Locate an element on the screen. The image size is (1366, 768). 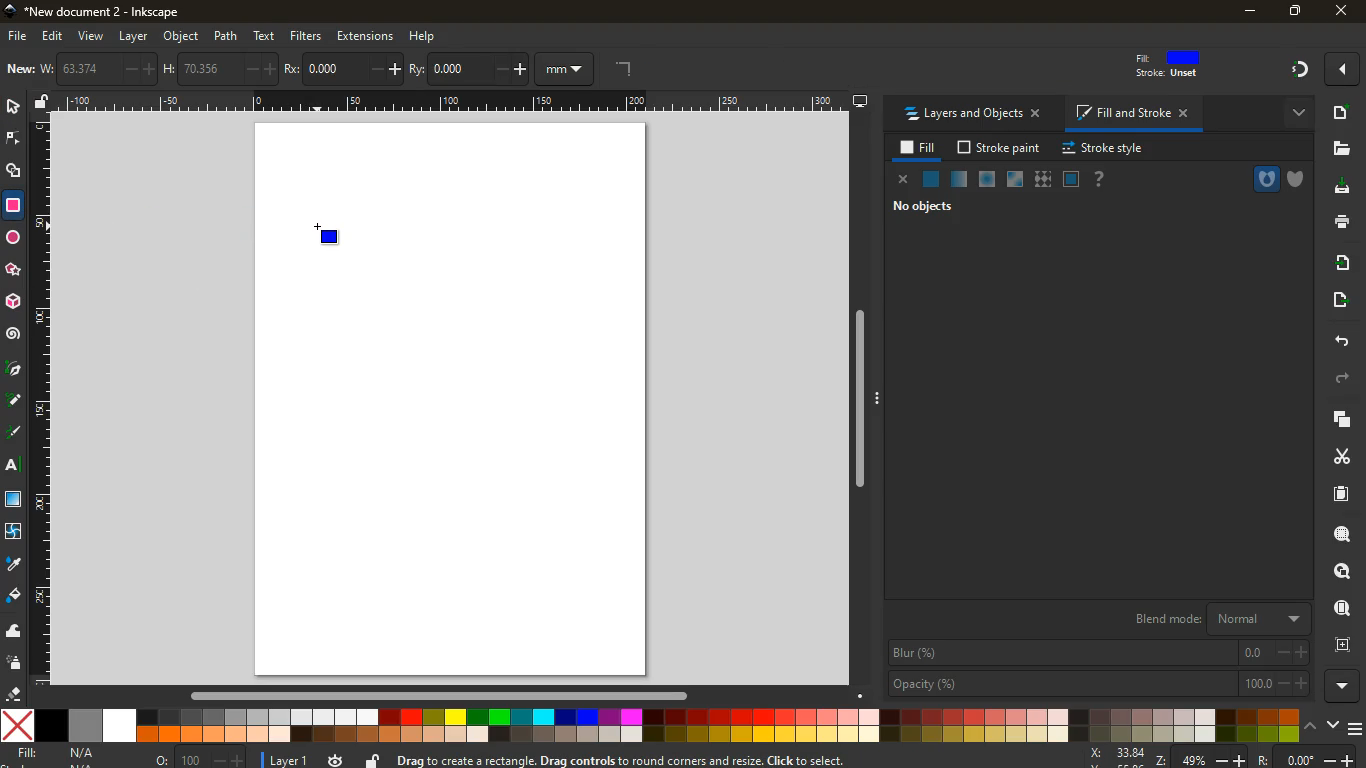
edit is located at coordinates (55, 37).